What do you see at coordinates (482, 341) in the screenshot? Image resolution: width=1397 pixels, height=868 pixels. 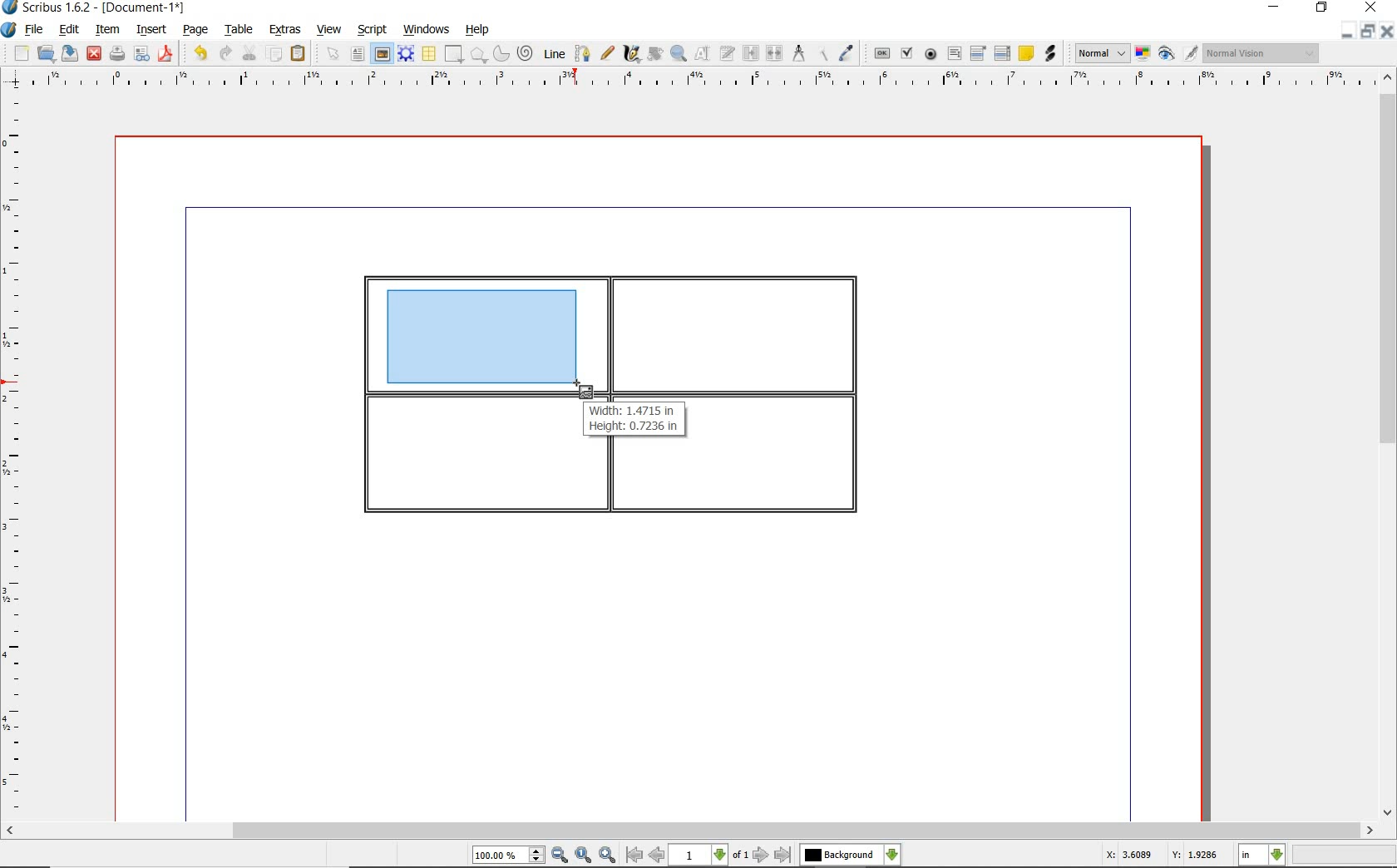 I see `drawing image frame` at bounding box center [482, 341].